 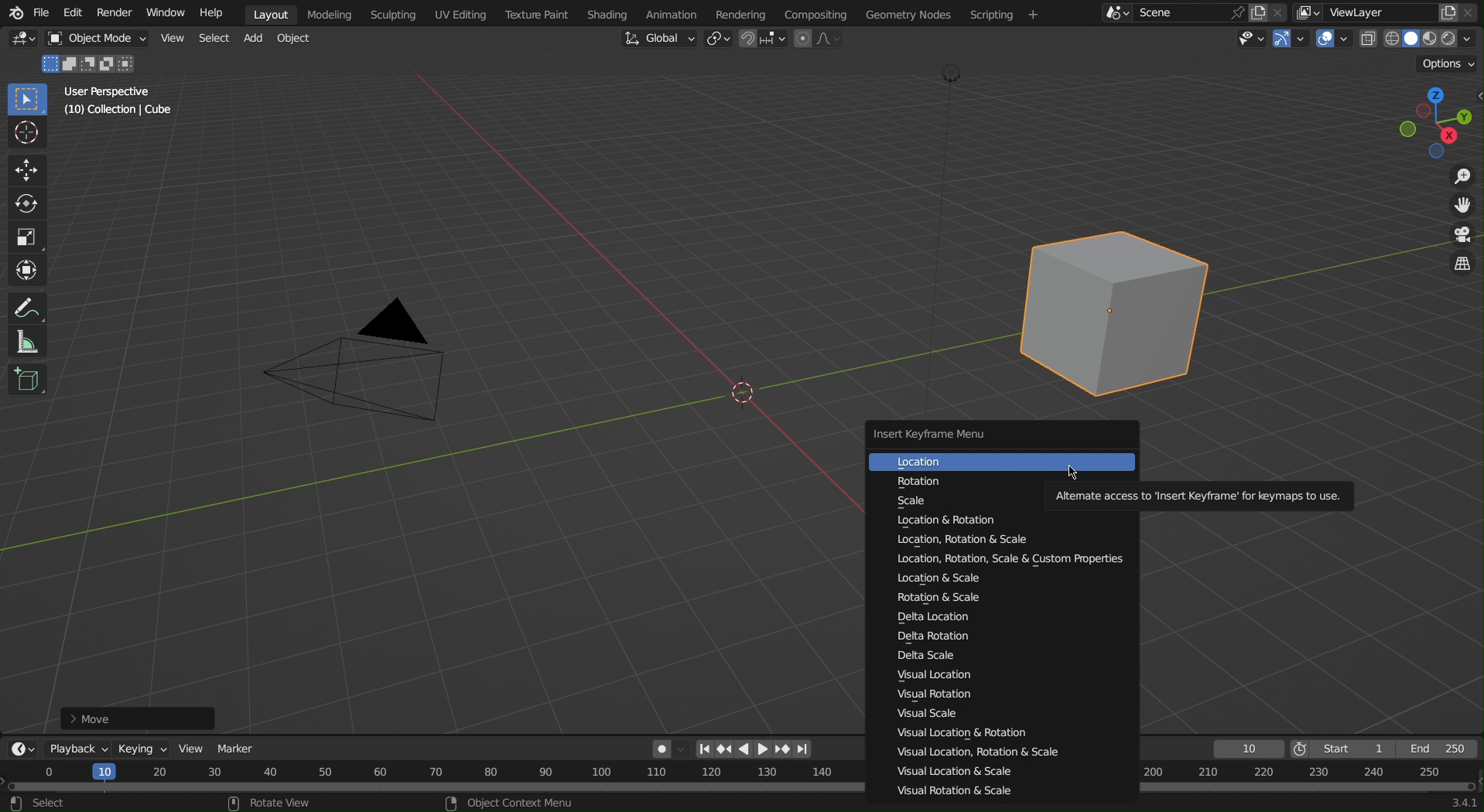 I want to click on Scale, so click(x=29, y=234).